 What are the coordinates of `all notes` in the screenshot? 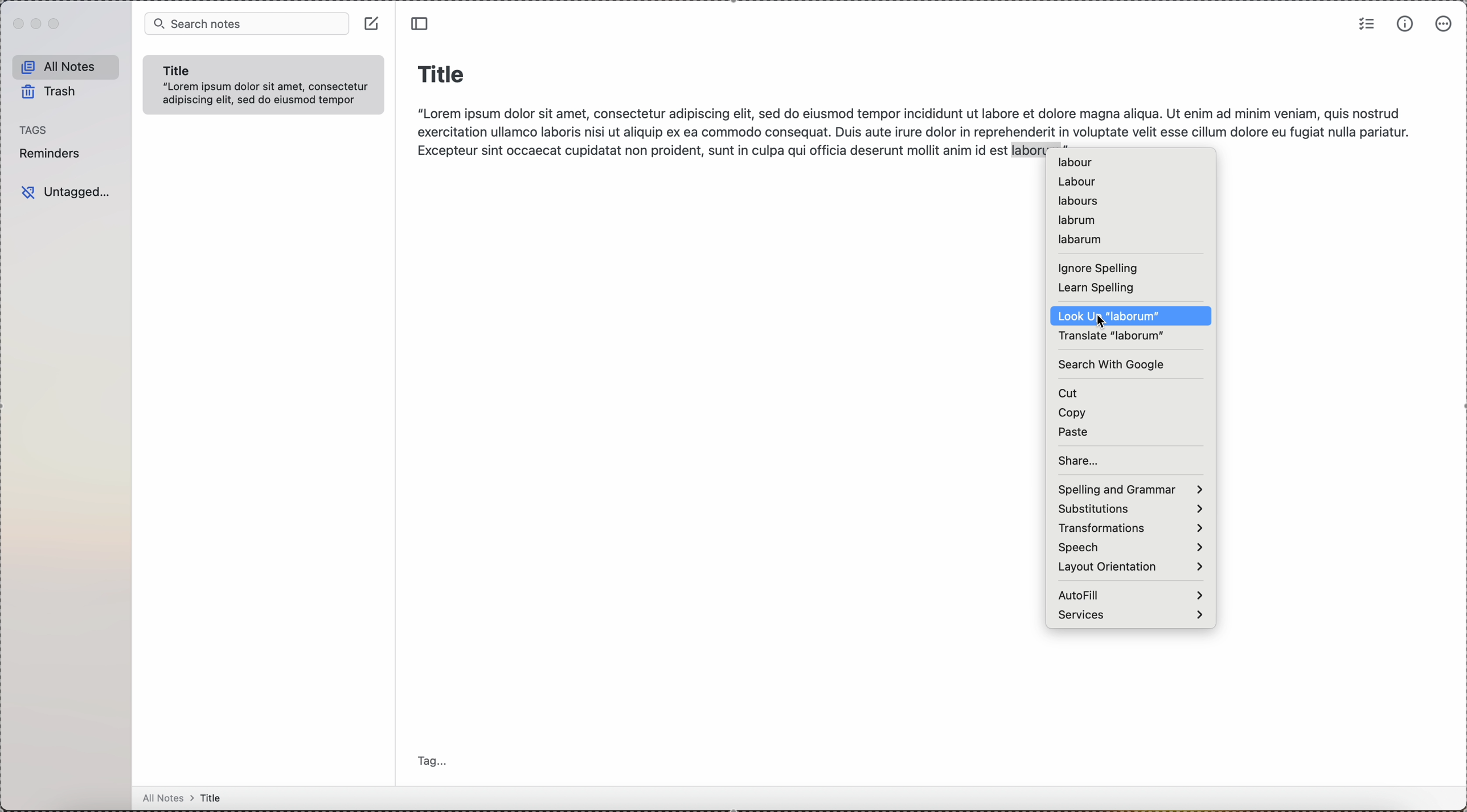 It's located at (189, 798).